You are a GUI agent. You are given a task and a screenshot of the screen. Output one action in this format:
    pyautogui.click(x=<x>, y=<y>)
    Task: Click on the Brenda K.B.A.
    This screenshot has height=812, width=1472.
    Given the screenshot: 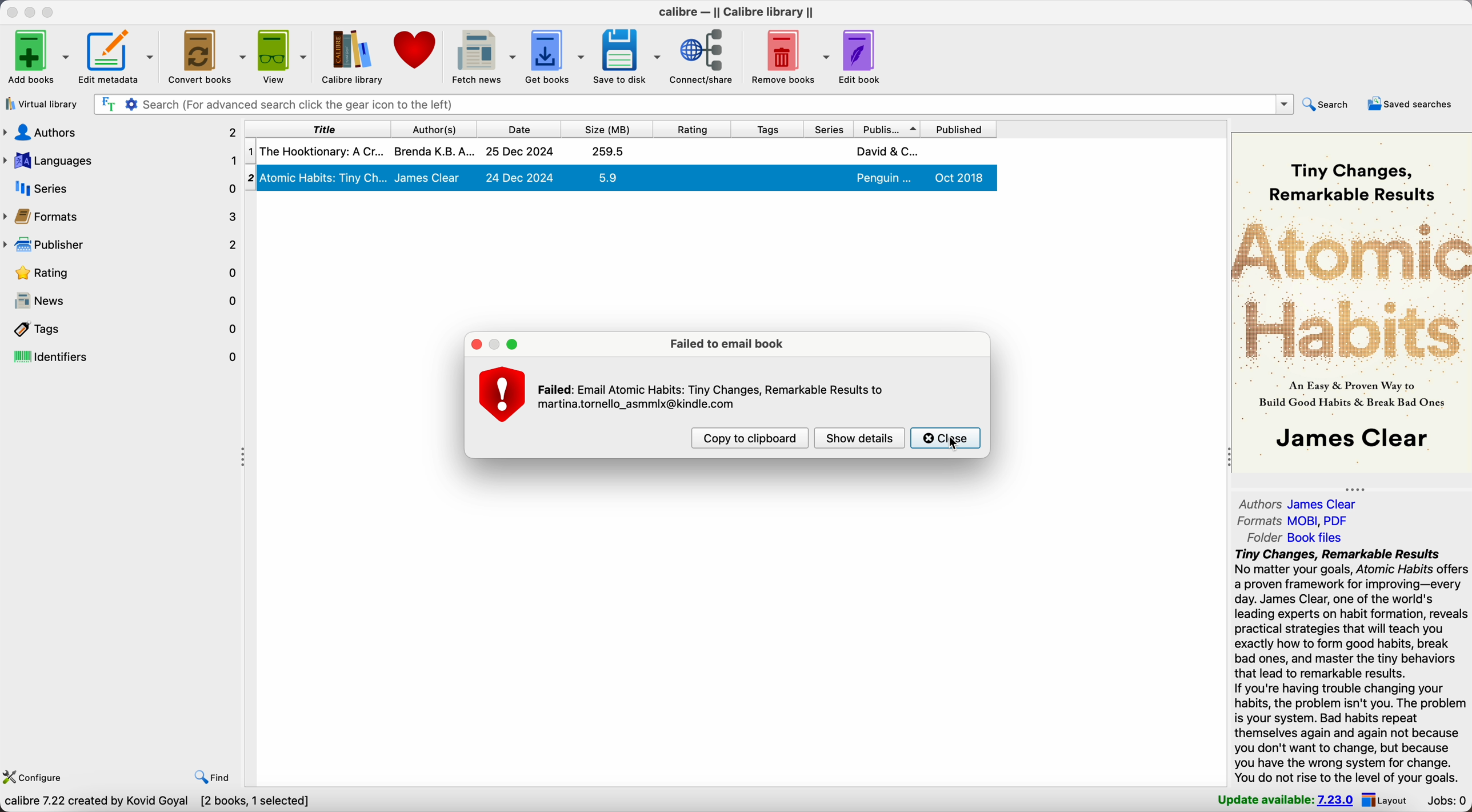 What is the action you would take?
    pyautogui.click(x=434, y=150)
    